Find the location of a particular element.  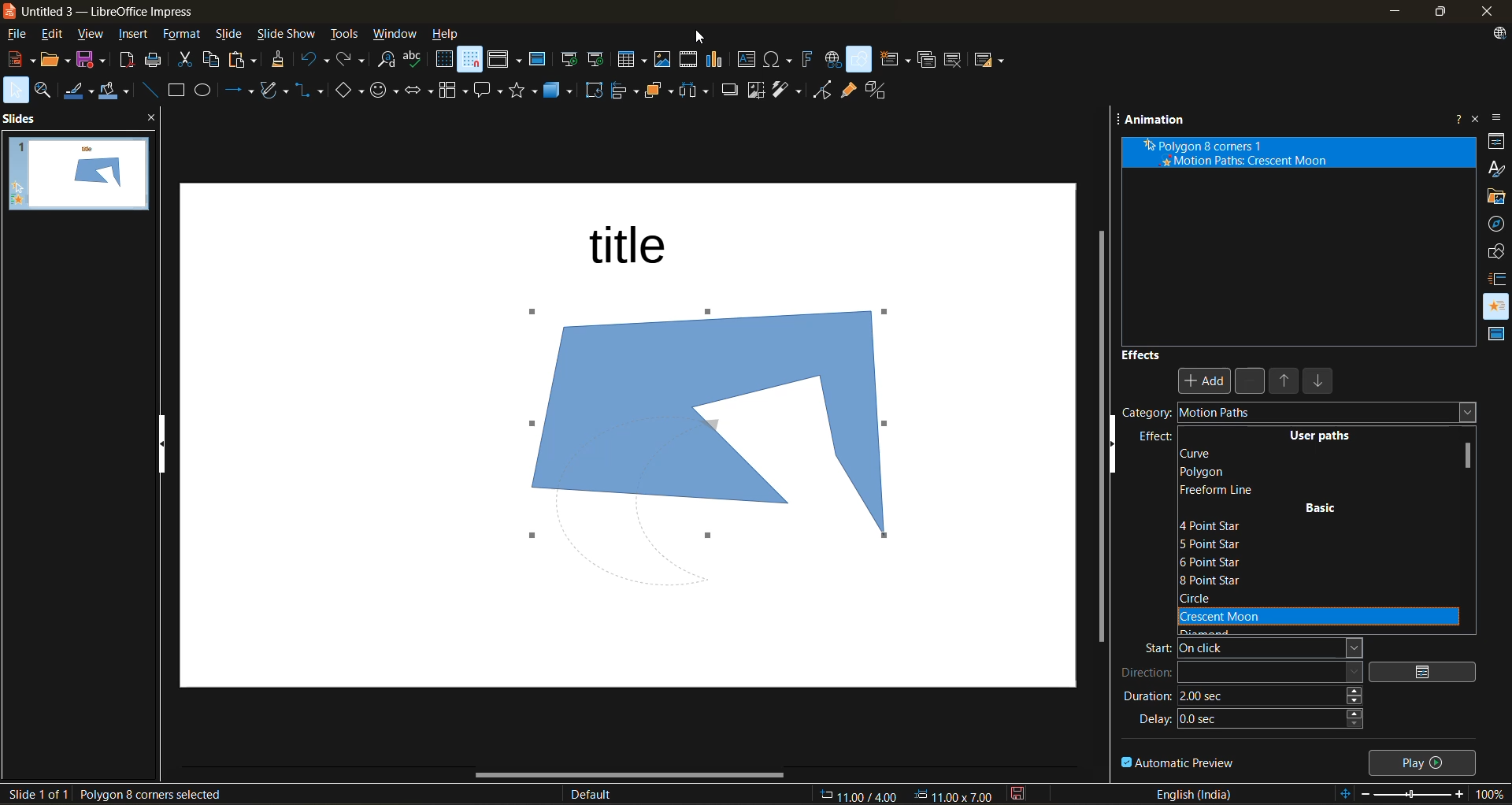

vertical scroll bar is located at coordinates (1469, 458).